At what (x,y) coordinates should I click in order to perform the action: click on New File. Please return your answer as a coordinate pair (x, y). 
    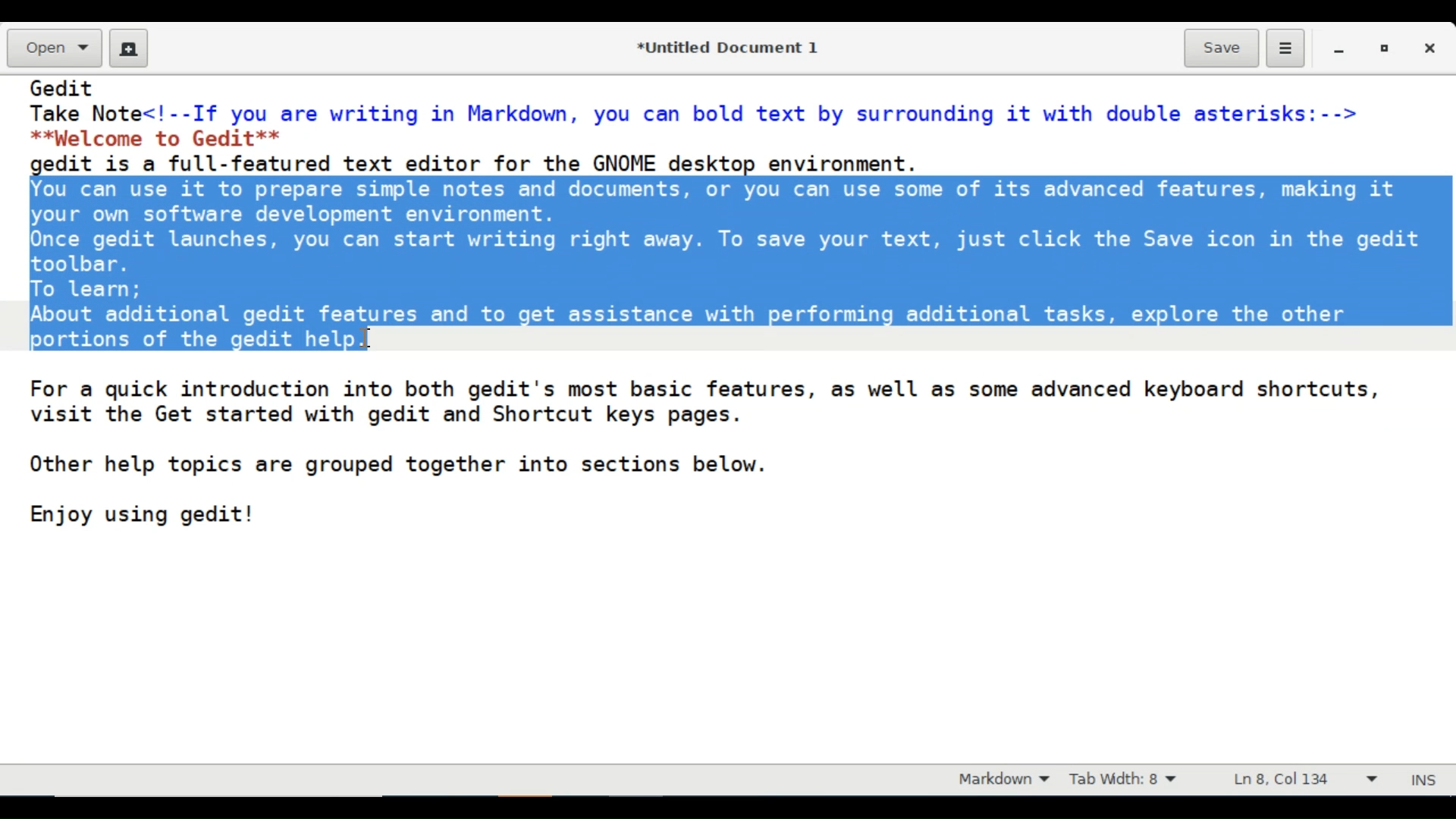
    Looking at the image, I should click on (129, 48).